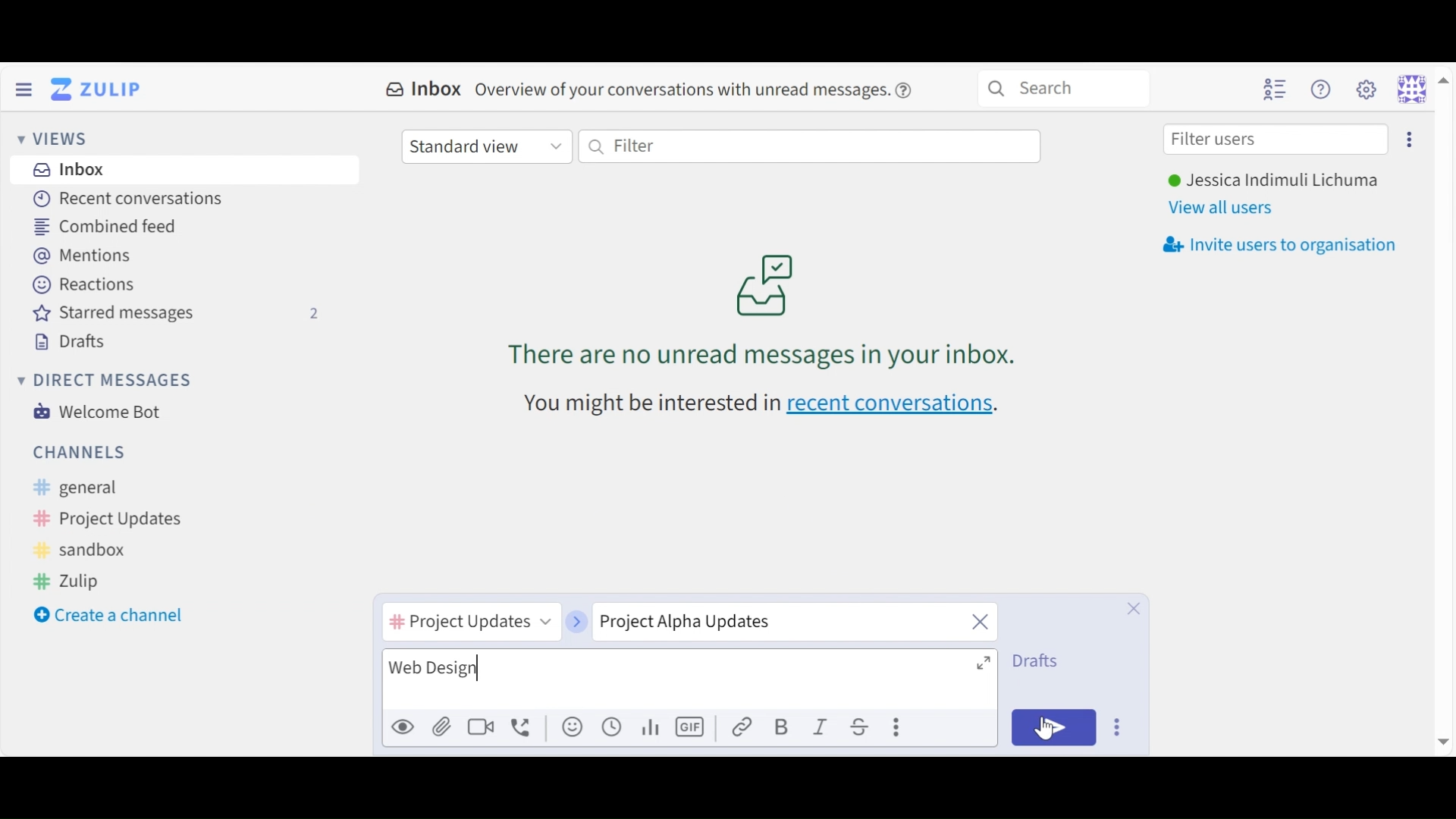  What do you see at coordinates (402, 726) in the screenshot?
I see `Preview` at bounding box center [402, 726].